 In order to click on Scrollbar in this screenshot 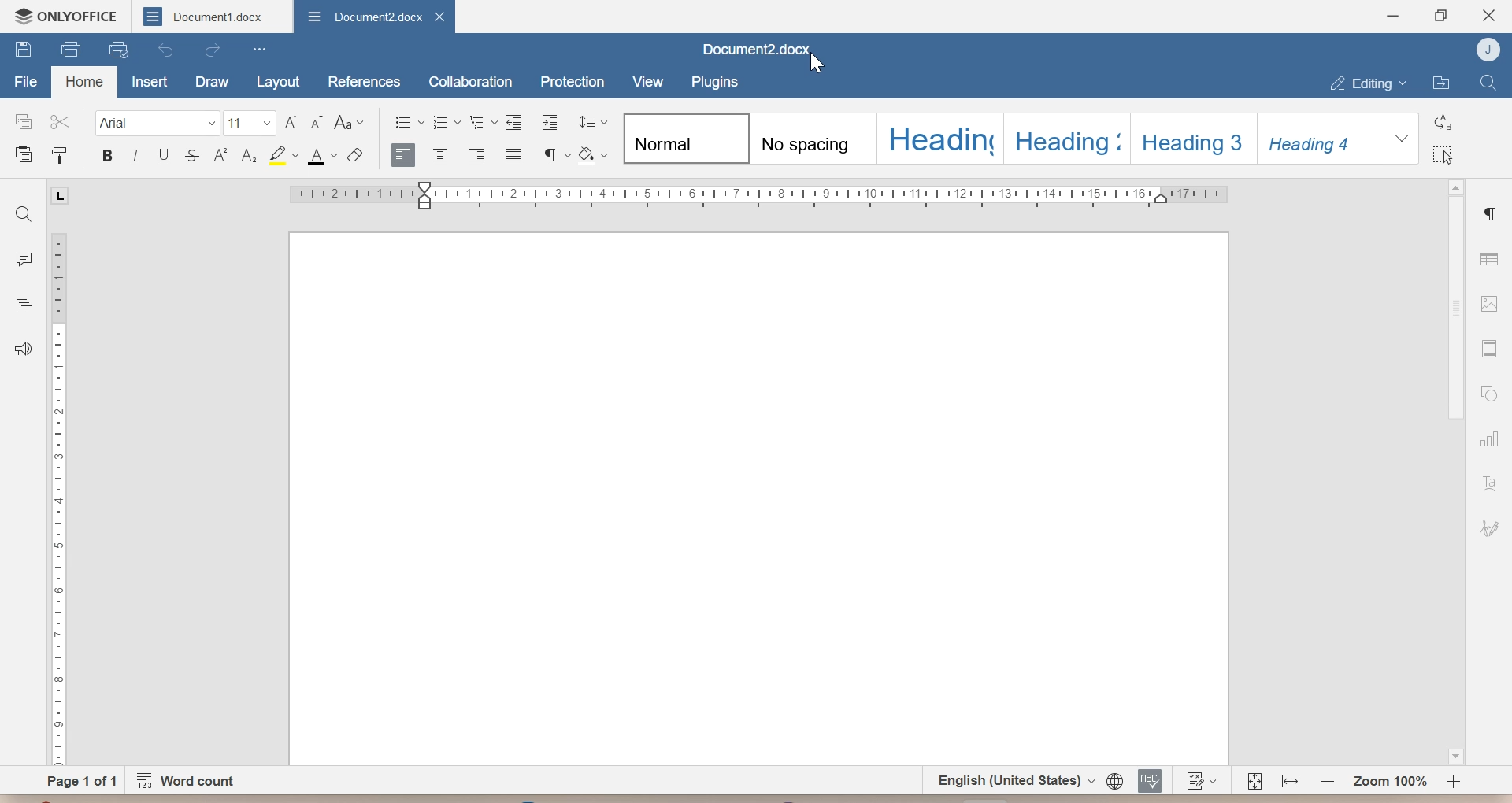, I will do `click(1458, 309)`.